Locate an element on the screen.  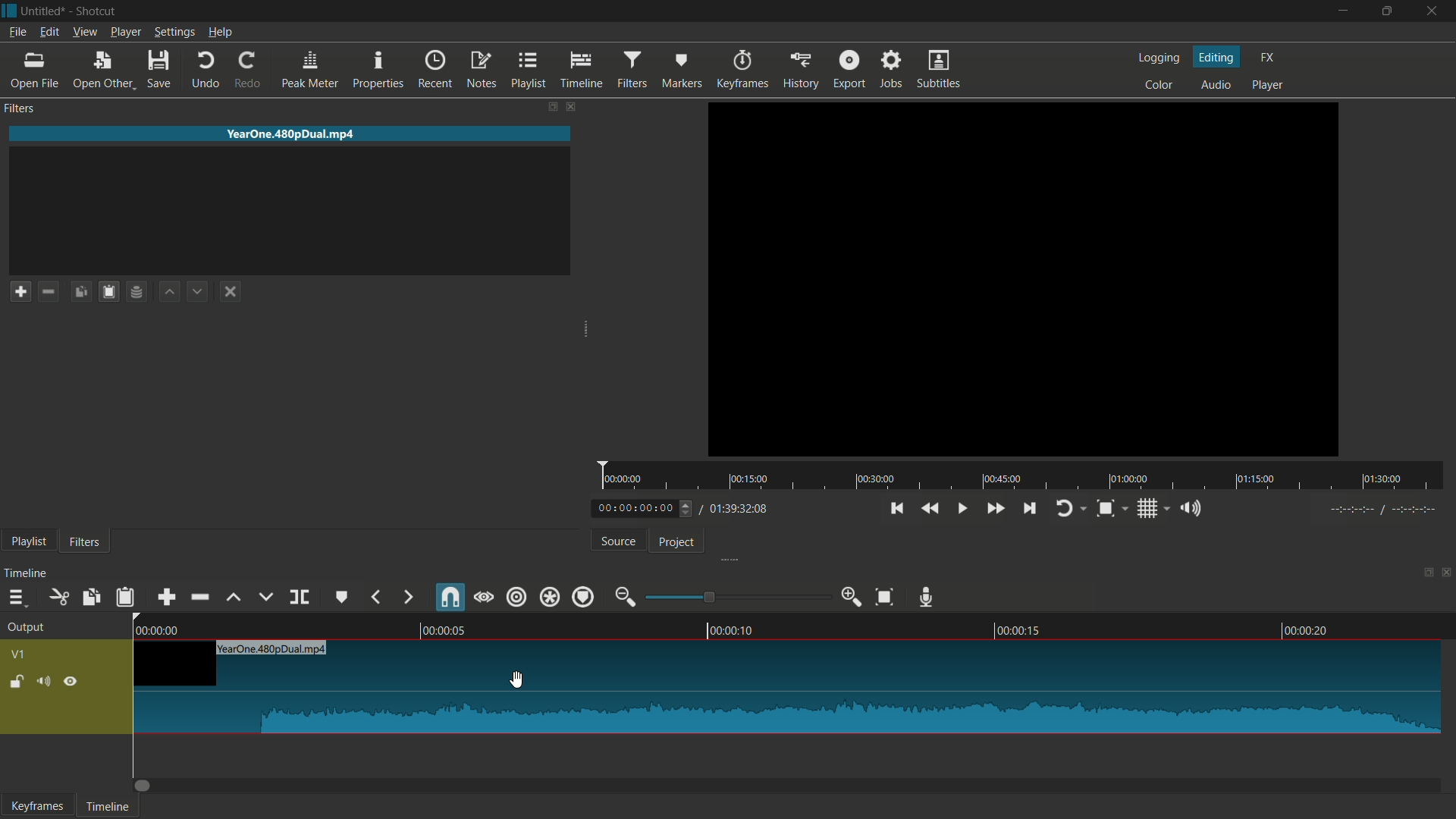
filters is located at coordinates (20, 109).